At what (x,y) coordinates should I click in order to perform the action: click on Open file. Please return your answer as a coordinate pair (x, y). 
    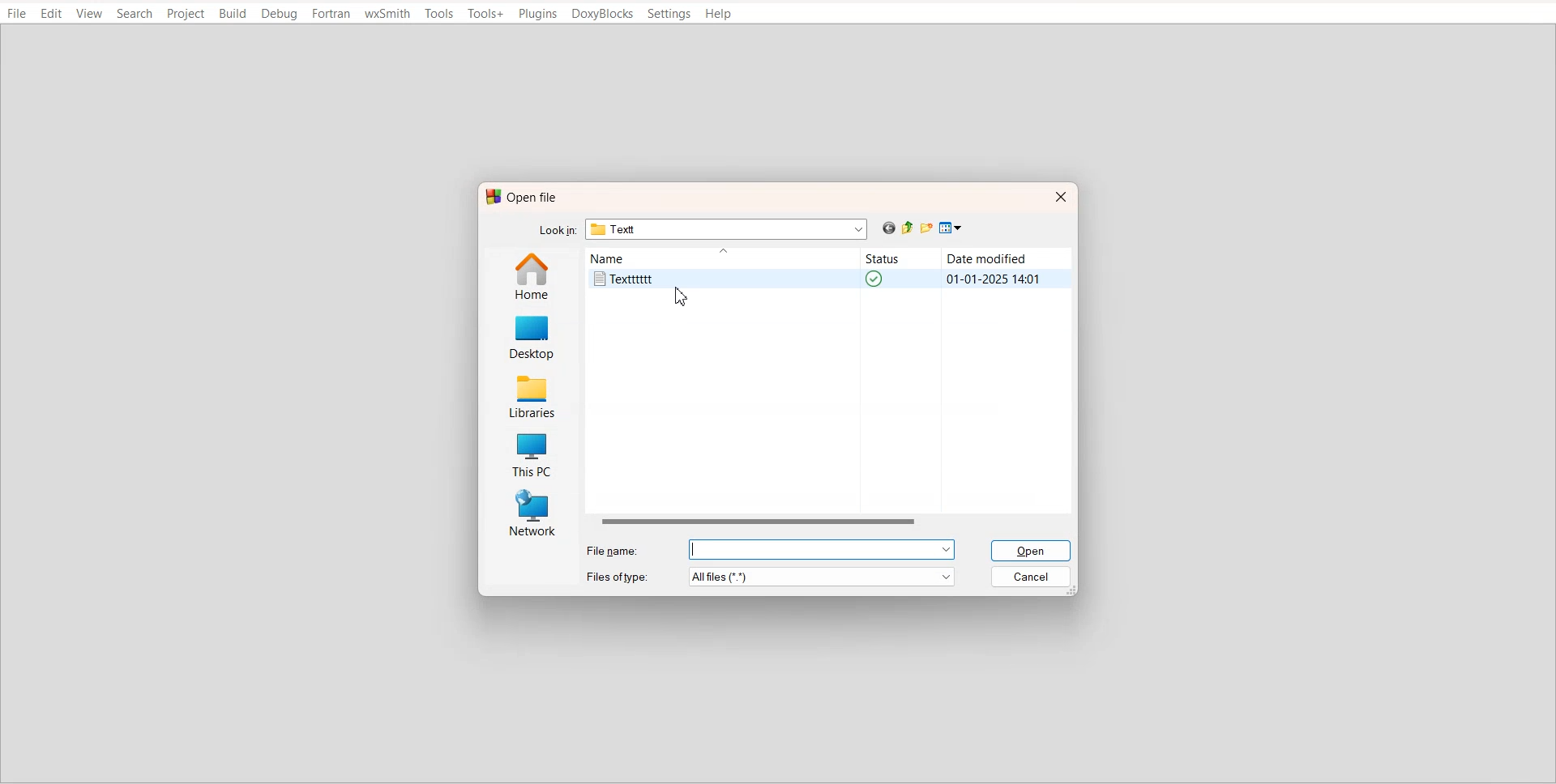
    Looking at the image, I should click on (526, 196).